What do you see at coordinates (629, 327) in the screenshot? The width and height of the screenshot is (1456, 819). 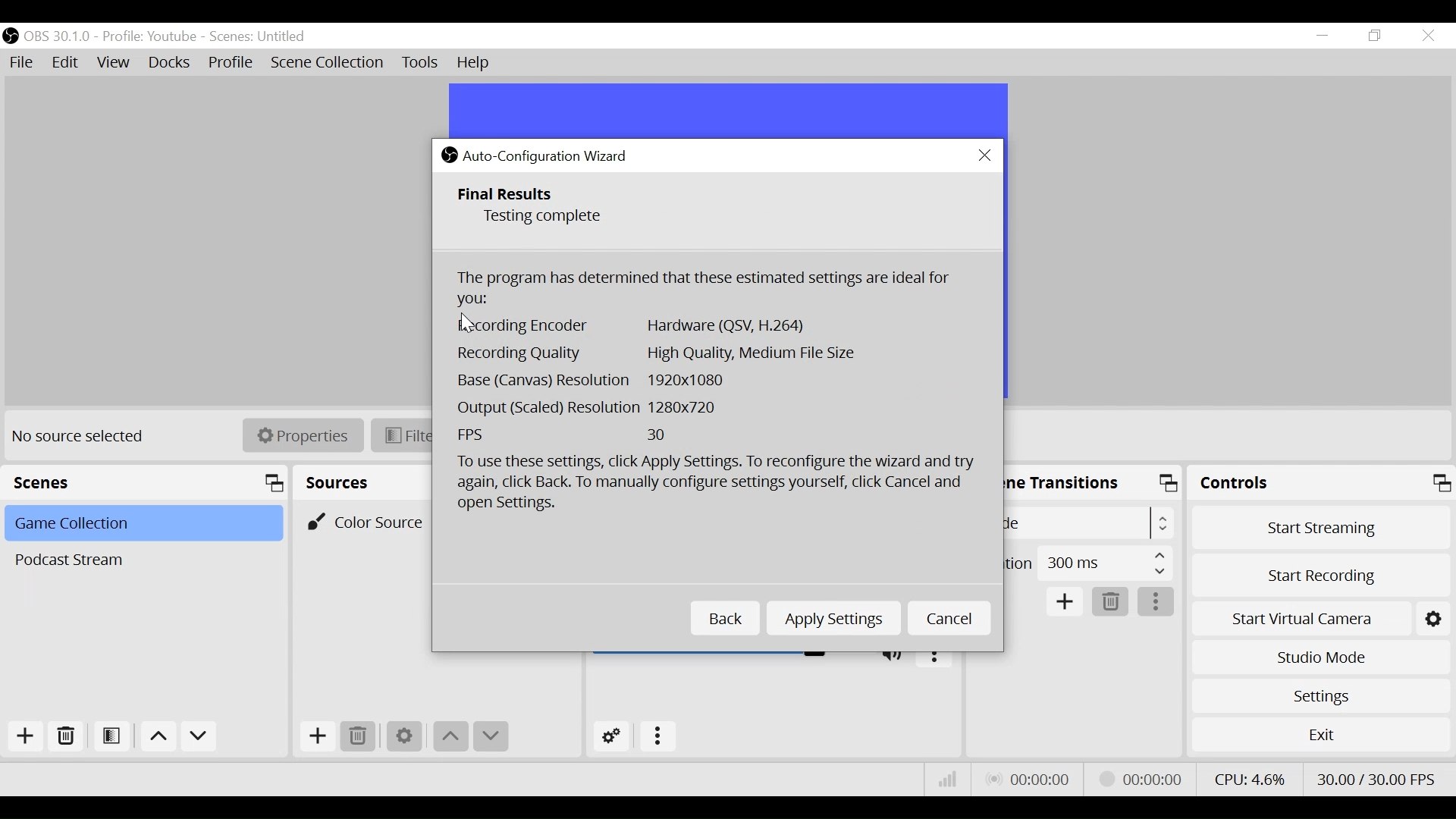 I see `Recording Encoder` at bounding box center [629, 327].